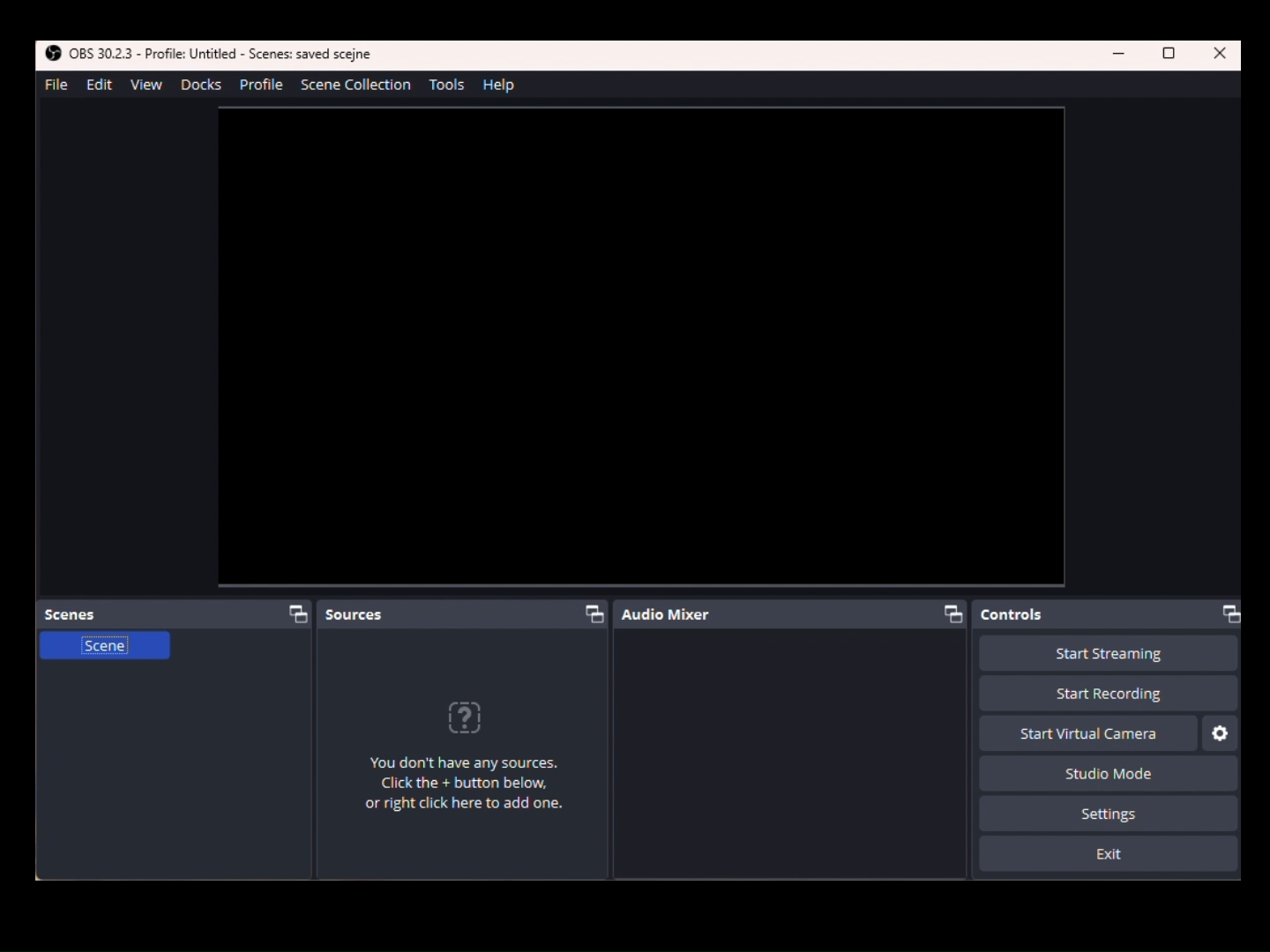 The height and width of the screenshot is (952, 1270). I want to click on Docks, so click(199, 85).